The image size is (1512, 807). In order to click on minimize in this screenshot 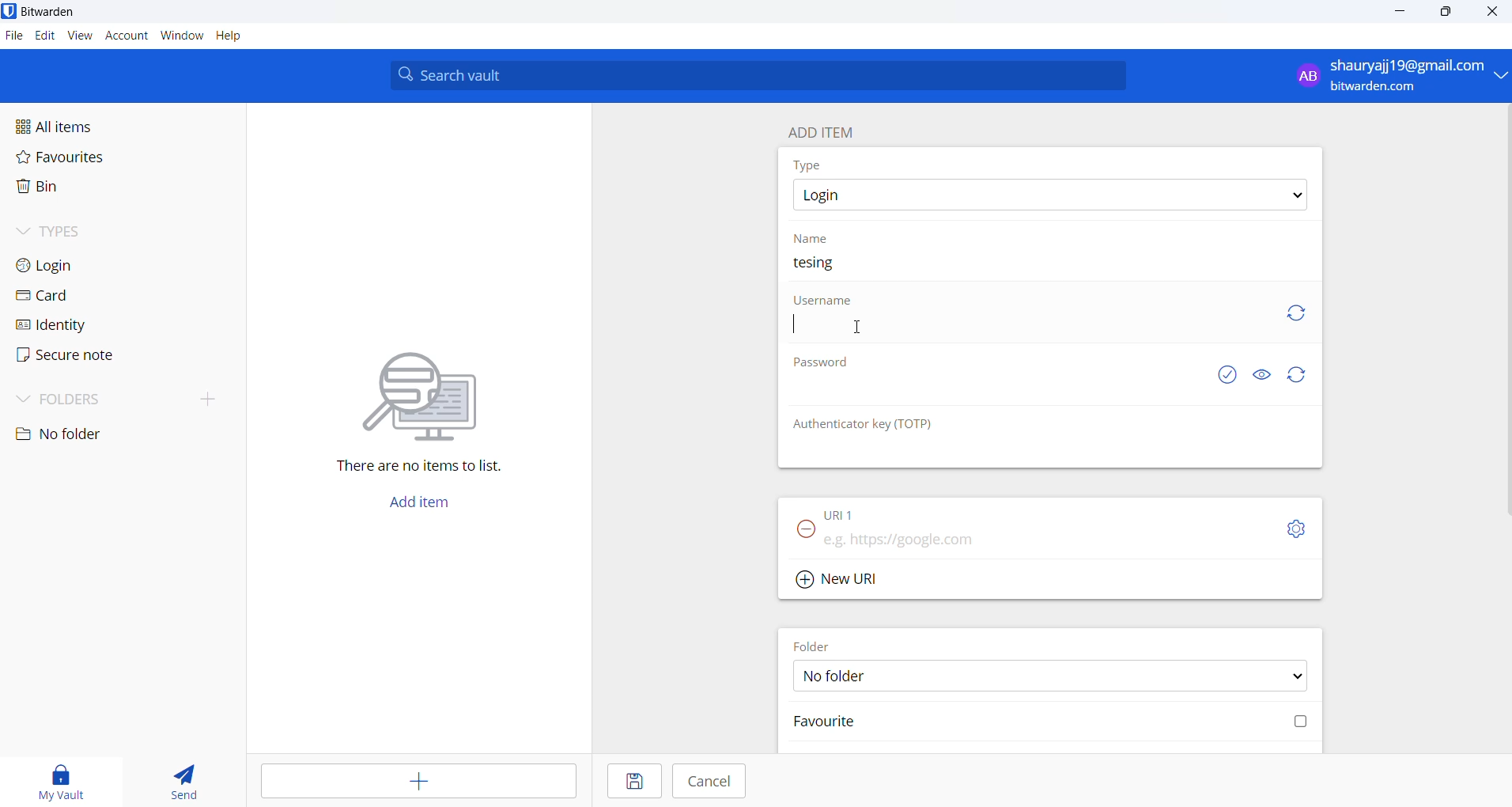, I will do `click(1398, 16)`.